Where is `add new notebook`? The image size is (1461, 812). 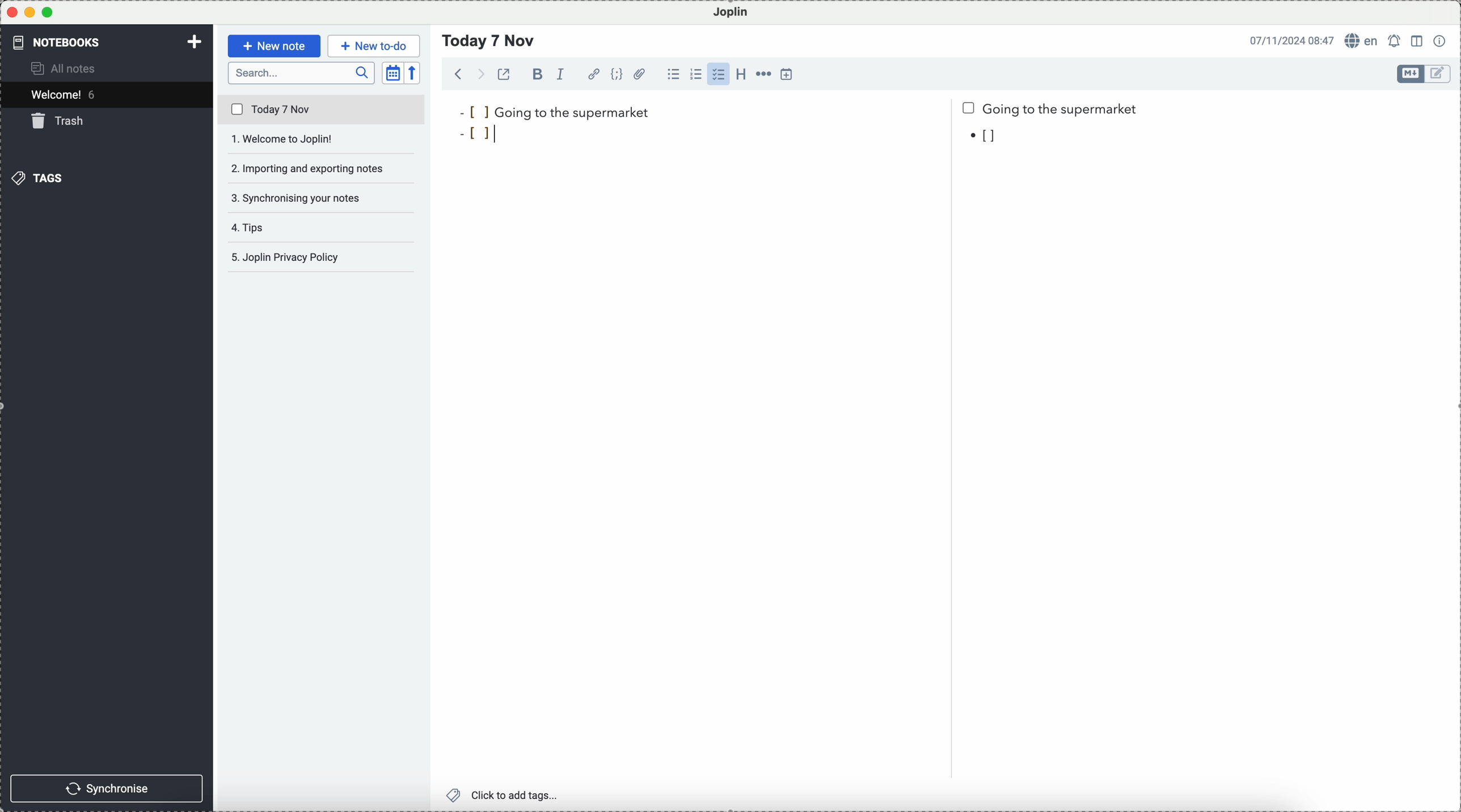
add new notebook is located at coordinates (195, 43).